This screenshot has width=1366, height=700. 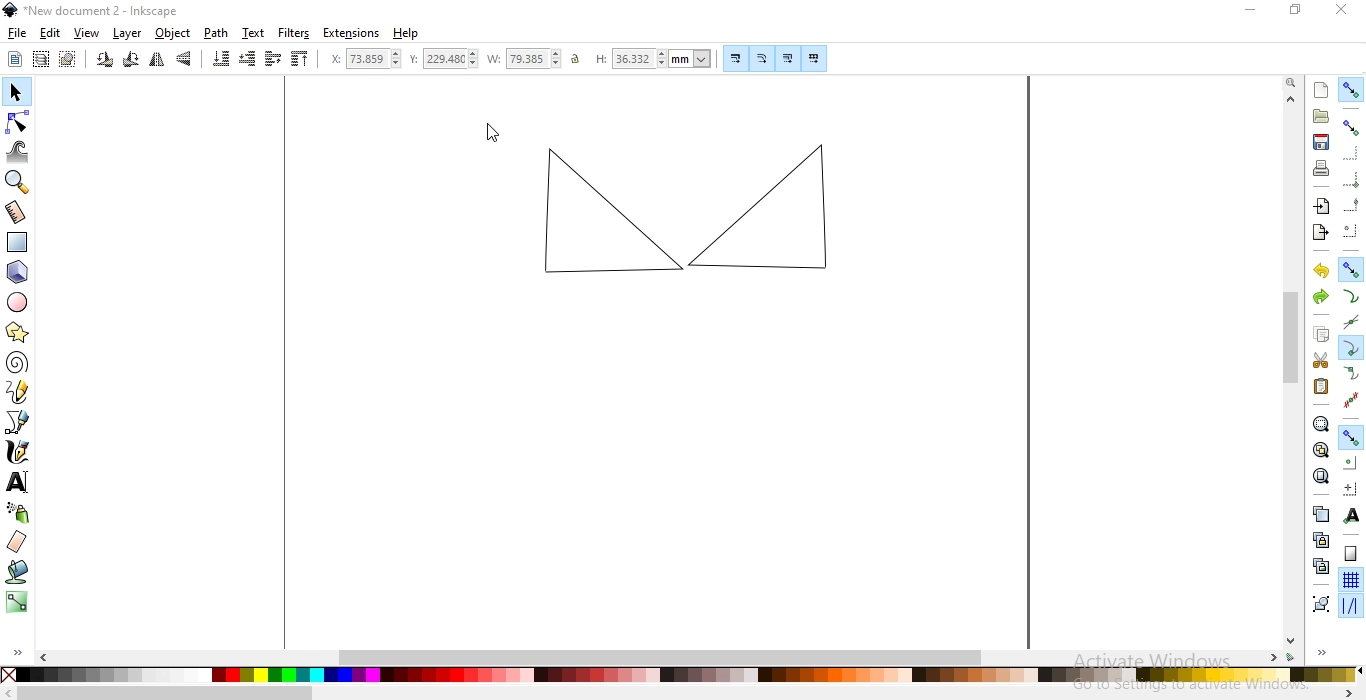 I want to click on width of selection, so click(x=524, y=58).